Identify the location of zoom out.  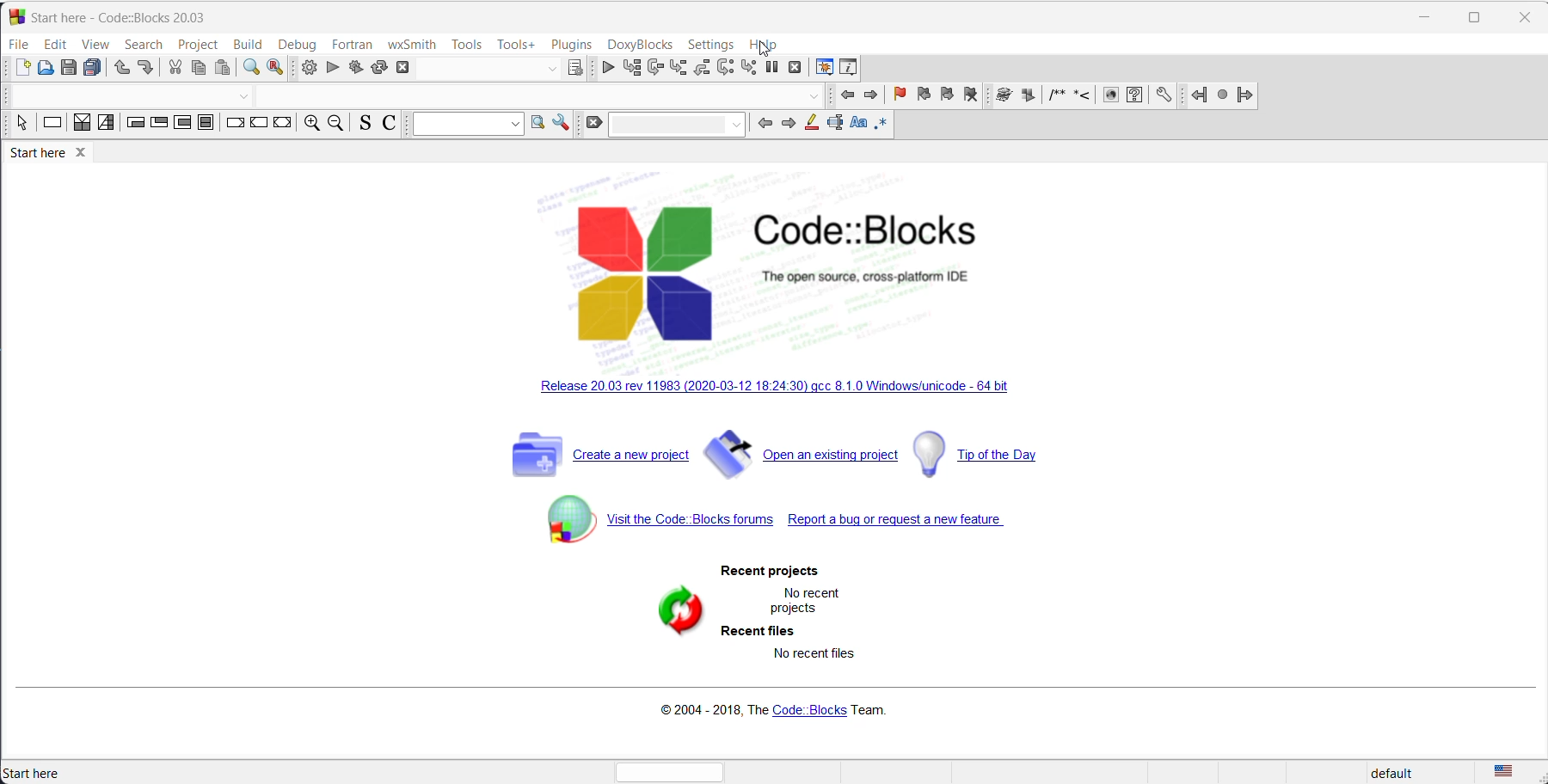
(336, 125).